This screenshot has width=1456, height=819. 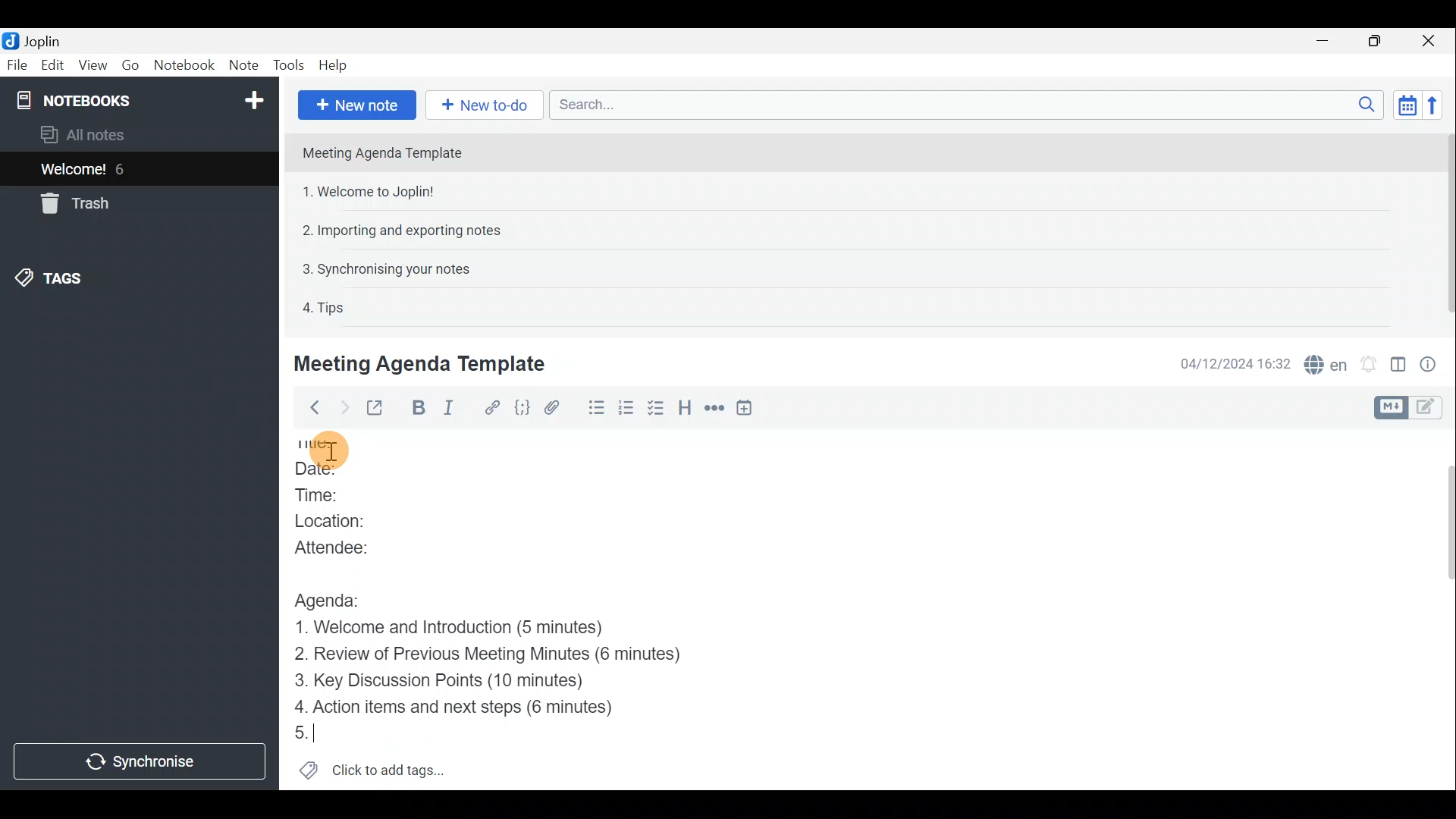 I want to click on Italic, so click(x=459, y=409).